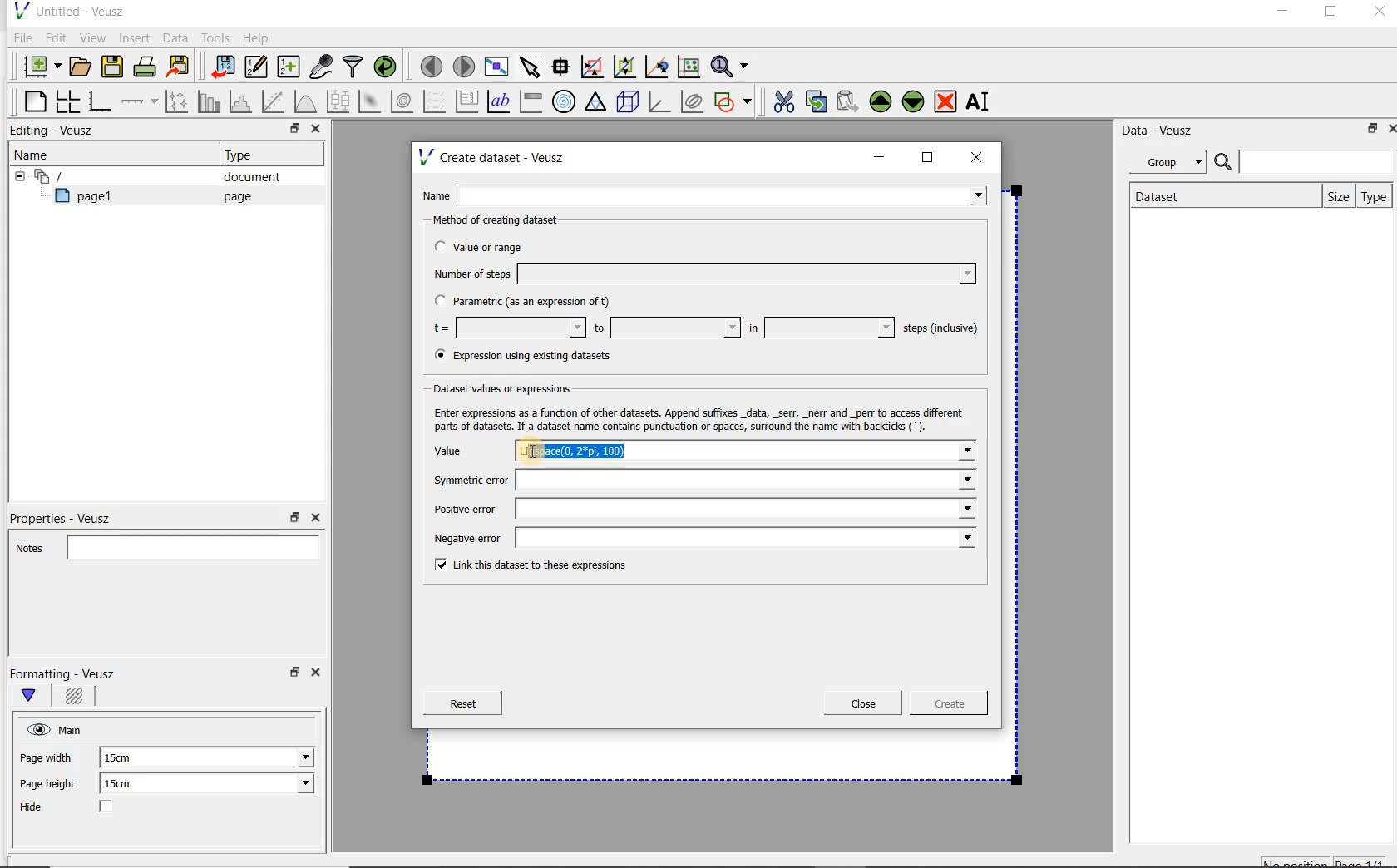 This screenshot has height=868, width=1397. Describe the element at coordinates (353, 68) in the screenshot. I see `filter data` at that location.